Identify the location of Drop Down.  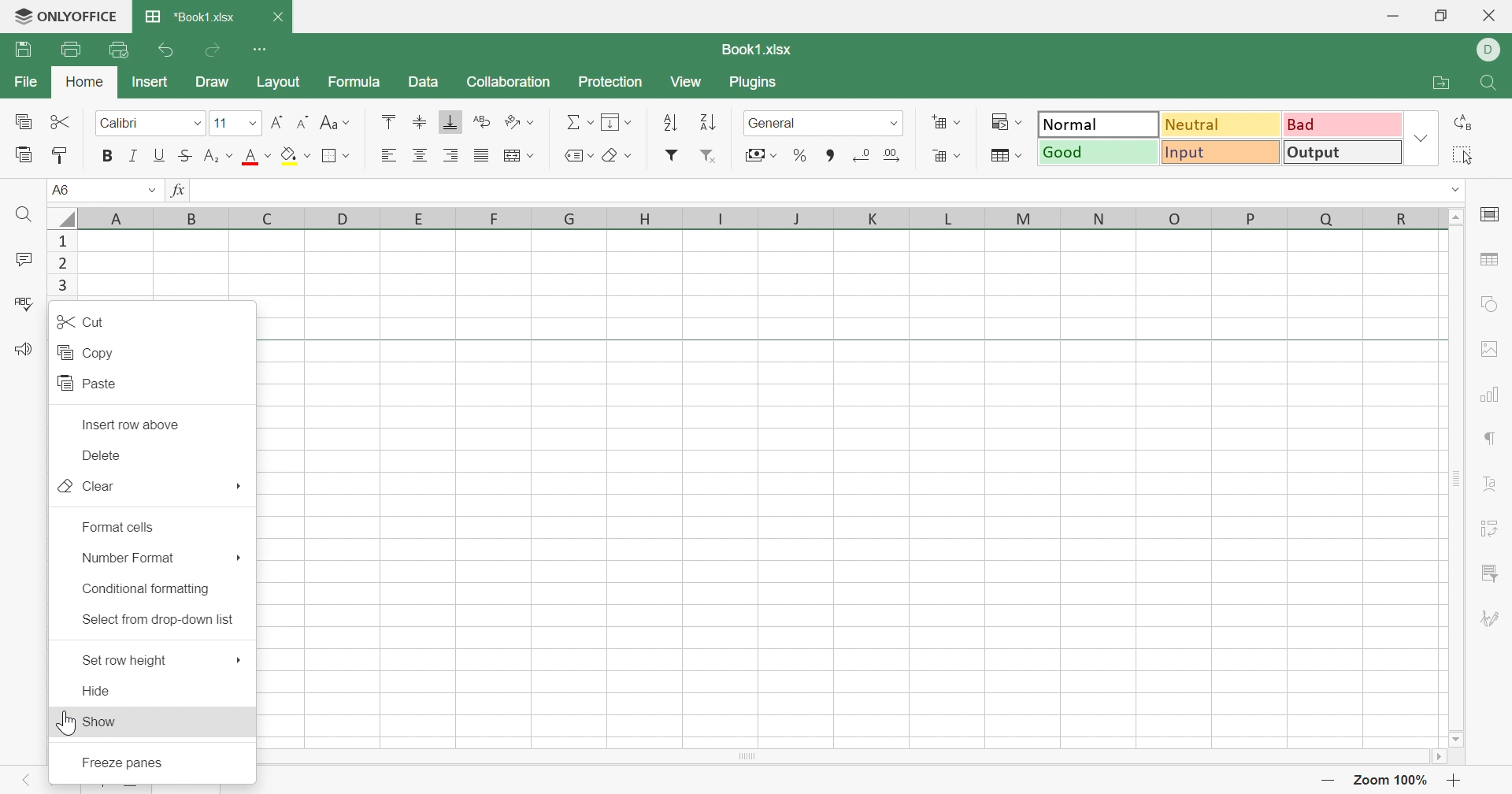
(1456, 189).